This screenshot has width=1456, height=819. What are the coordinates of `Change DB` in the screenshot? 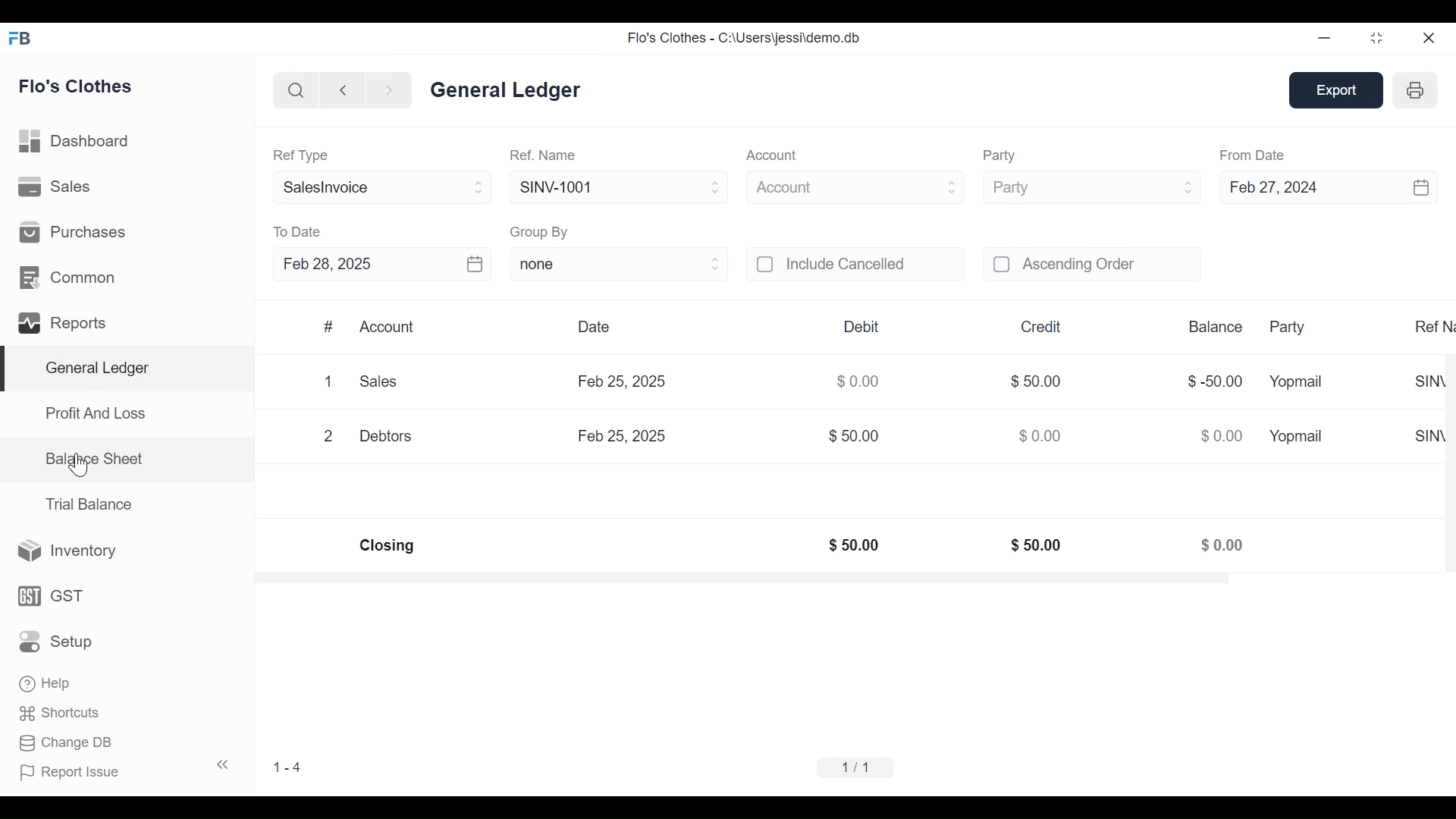 It's located at (66, 740).